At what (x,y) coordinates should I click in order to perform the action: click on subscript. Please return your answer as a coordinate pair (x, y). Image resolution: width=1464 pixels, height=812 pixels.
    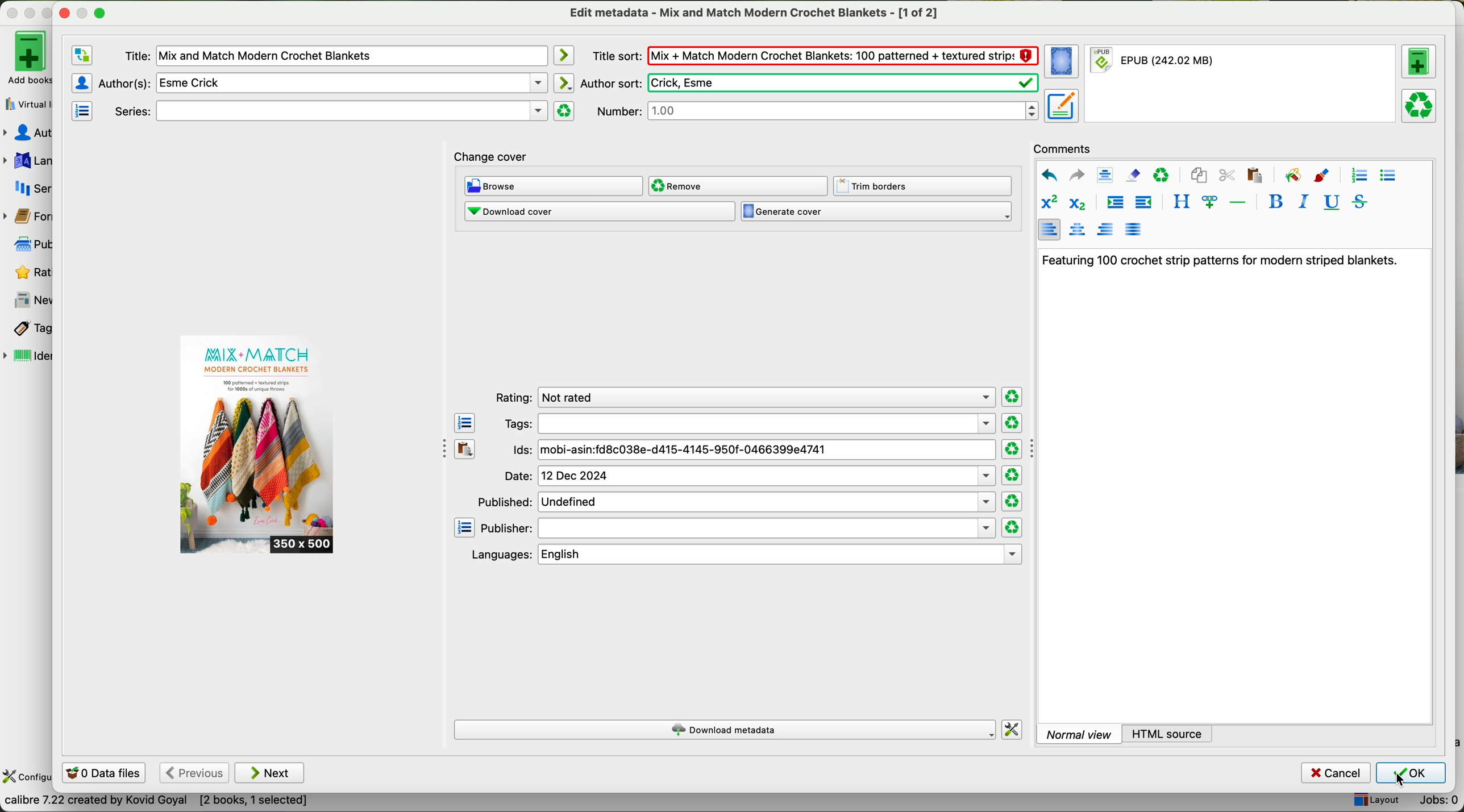
    Looking at the image, I should click on (1075, 202).